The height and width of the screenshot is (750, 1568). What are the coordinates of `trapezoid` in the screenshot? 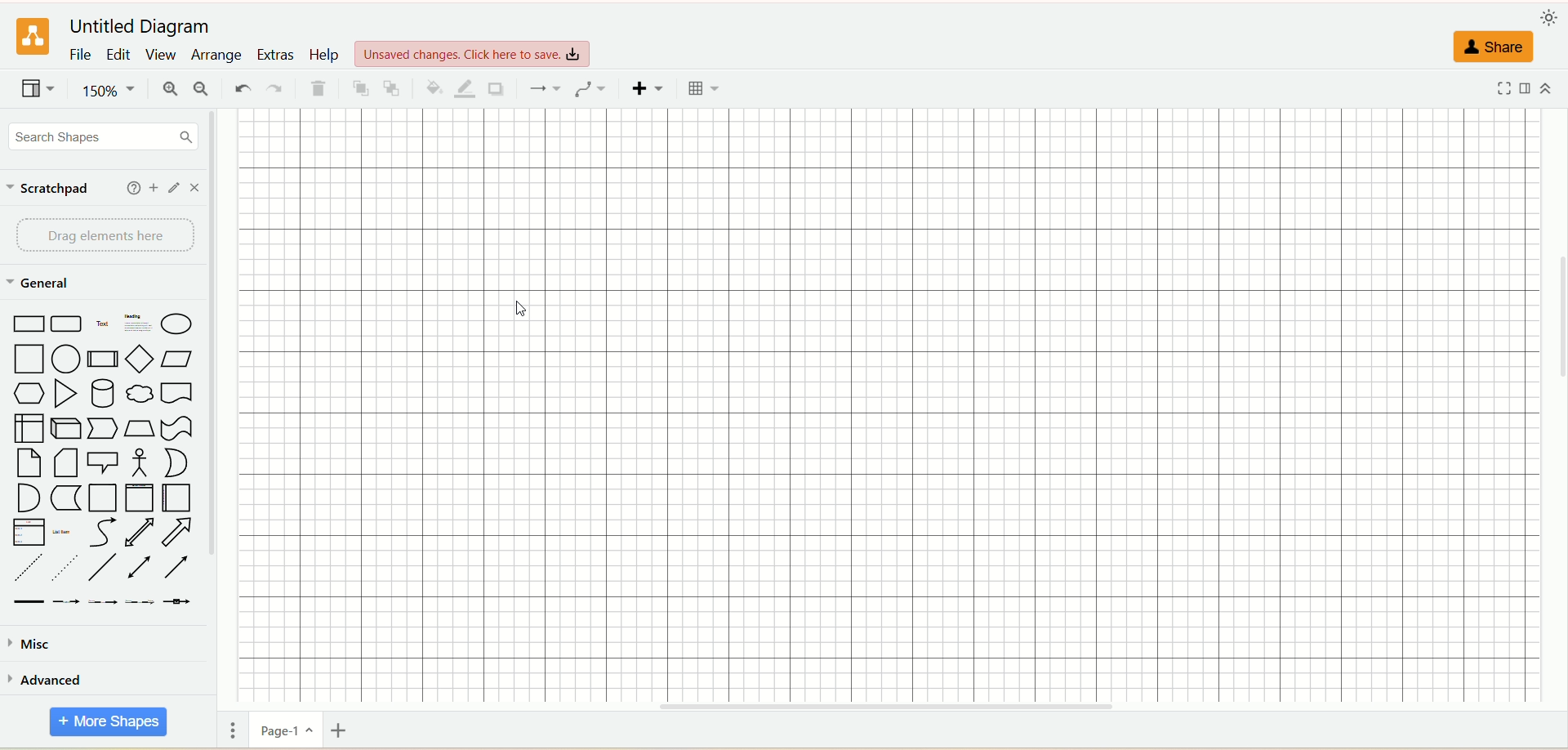 It's located at (137, 429).